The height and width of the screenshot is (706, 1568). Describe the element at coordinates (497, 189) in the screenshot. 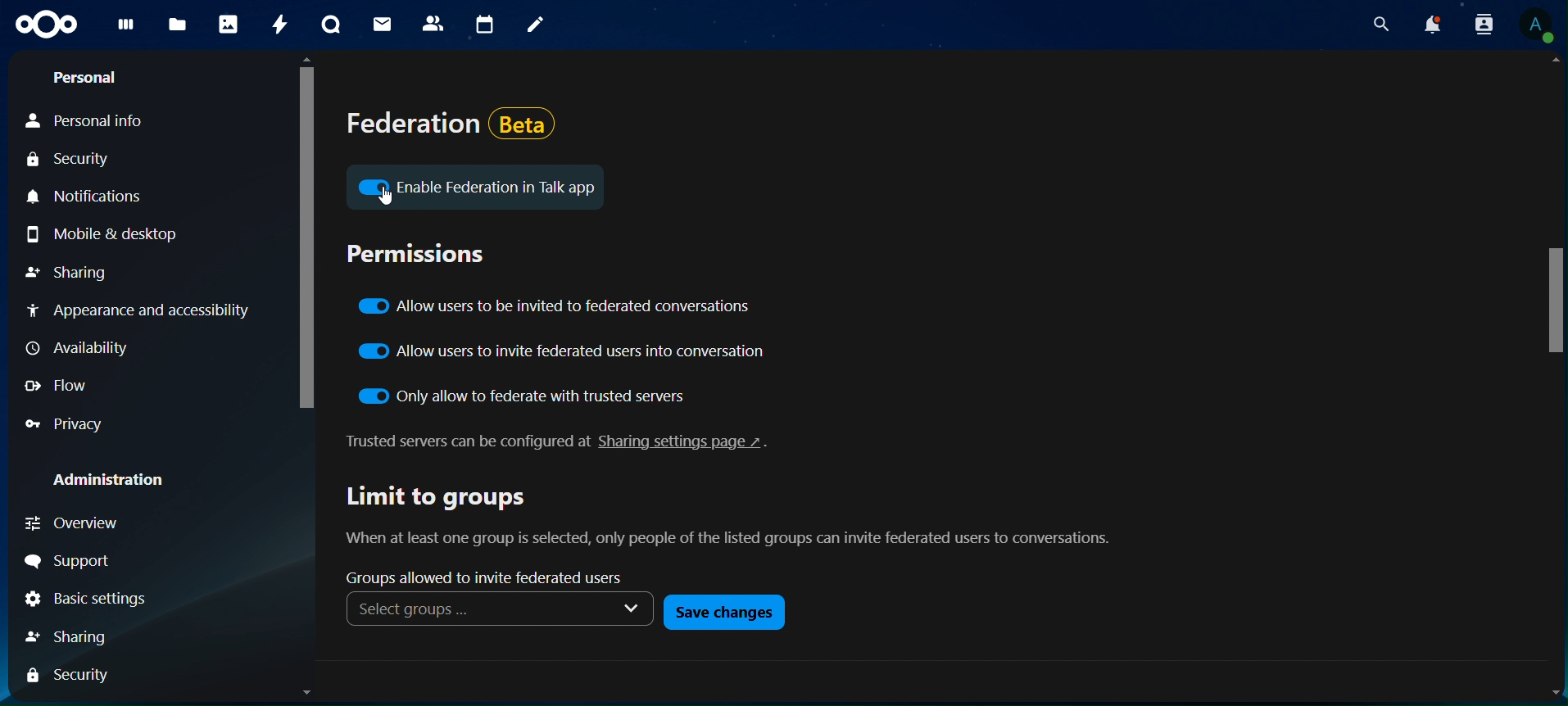

I see `Enable Federation in Talk app` at that location.